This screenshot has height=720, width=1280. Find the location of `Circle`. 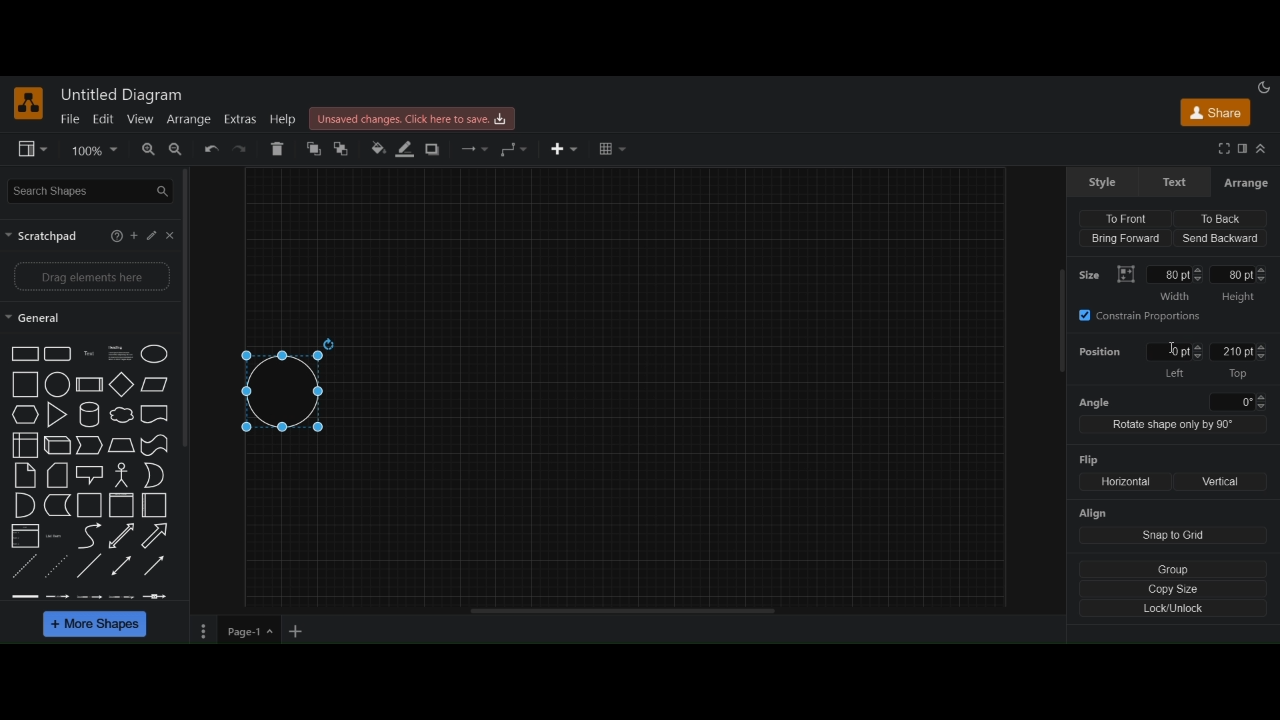

Circle is located at coordinates (58, 384).